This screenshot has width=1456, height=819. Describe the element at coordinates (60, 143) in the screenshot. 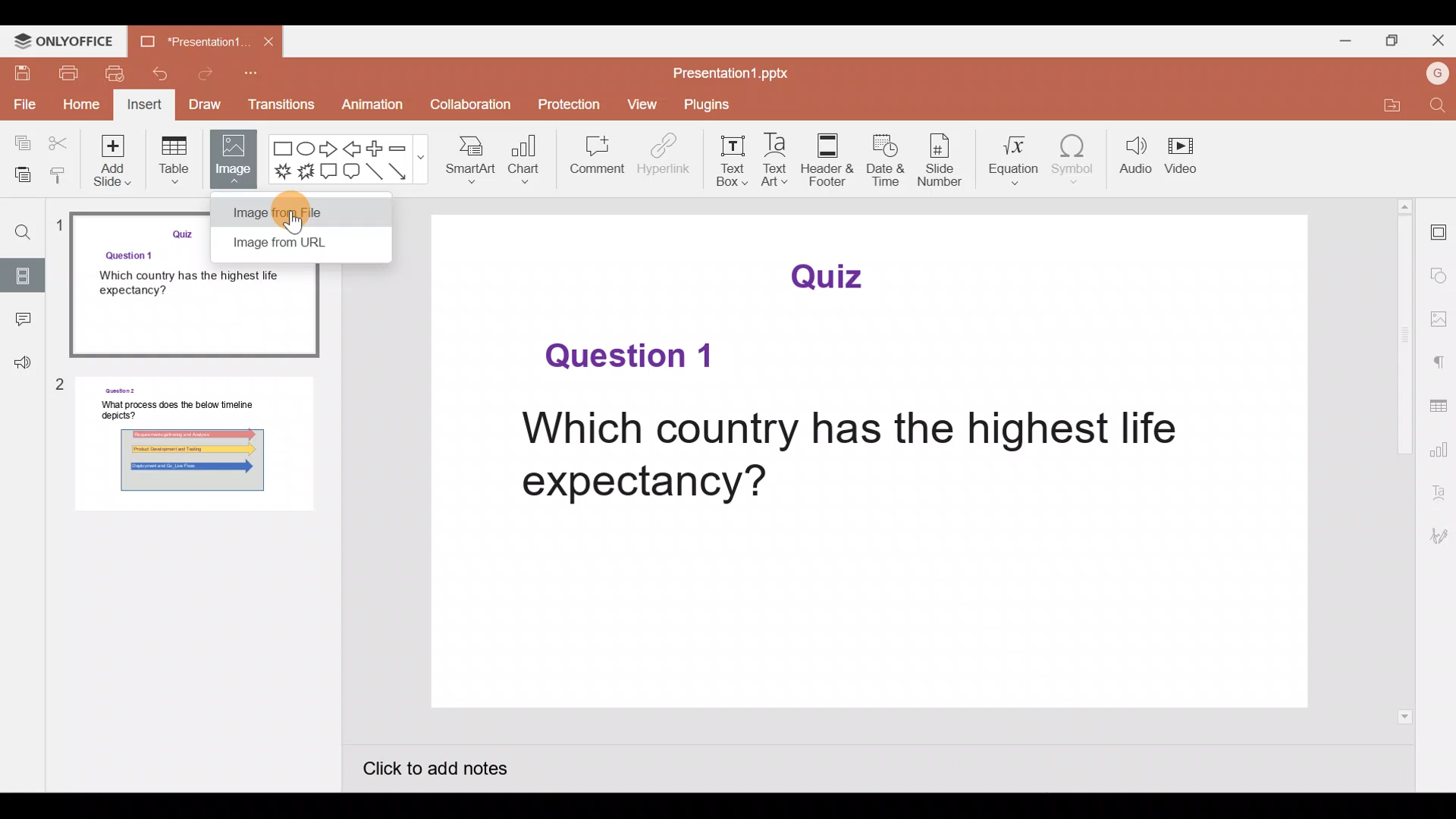

I see `Cut` at that location.